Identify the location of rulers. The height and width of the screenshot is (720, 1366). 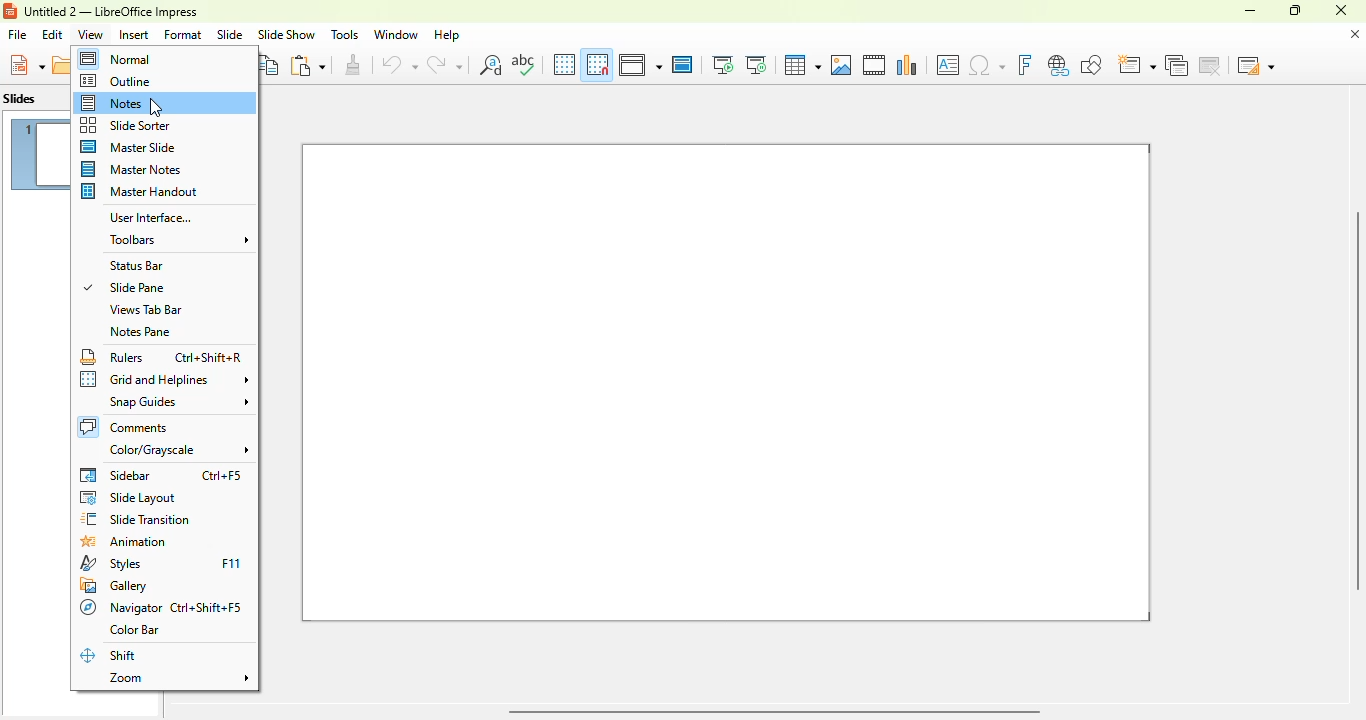
(162, 357).